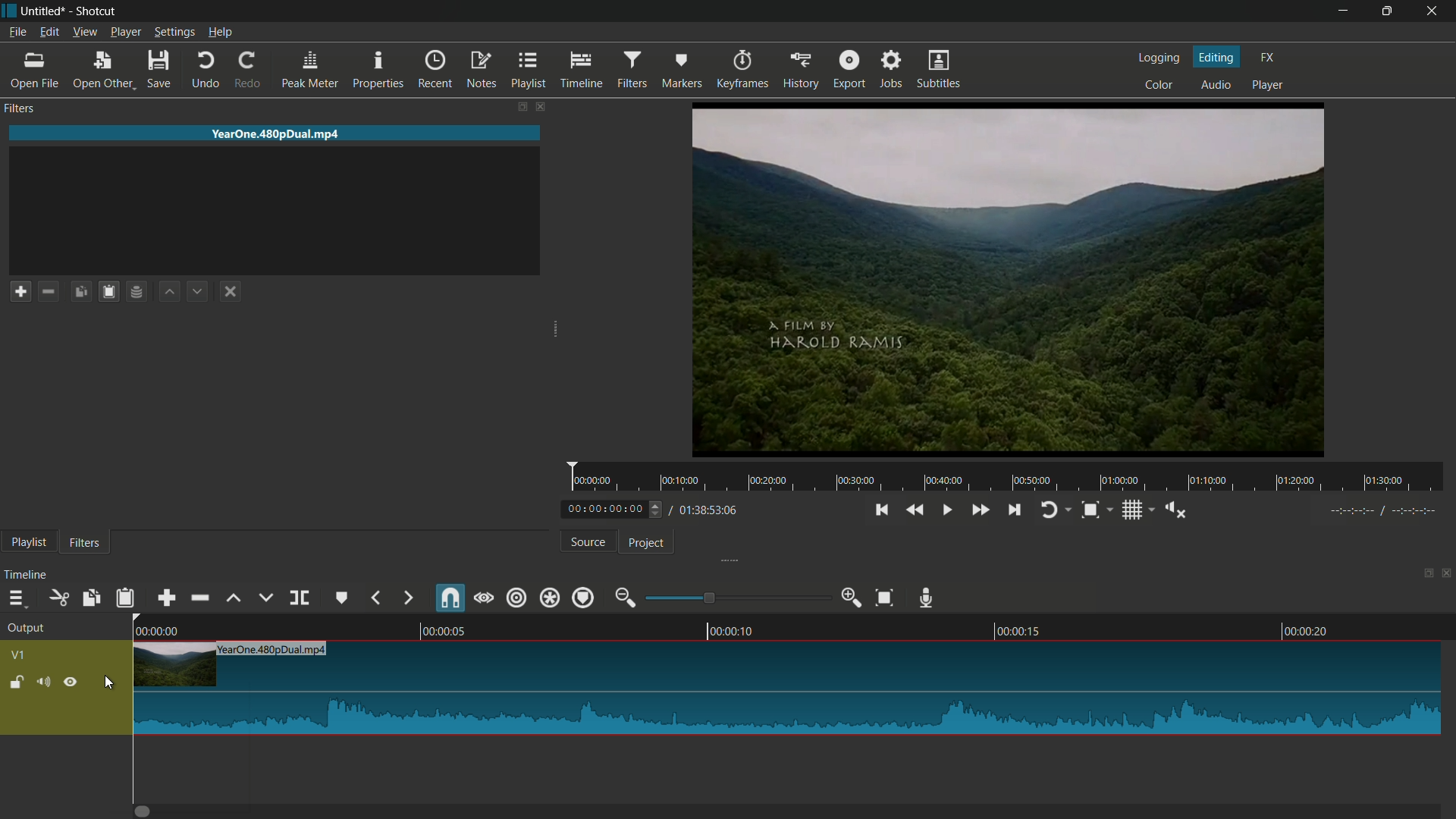 The width and height of the screenshot is (1456, 819). What do you see at coordinates (231, 291) in the screenshot?
I see `deselect the filter` at bounding box center [231, 291].